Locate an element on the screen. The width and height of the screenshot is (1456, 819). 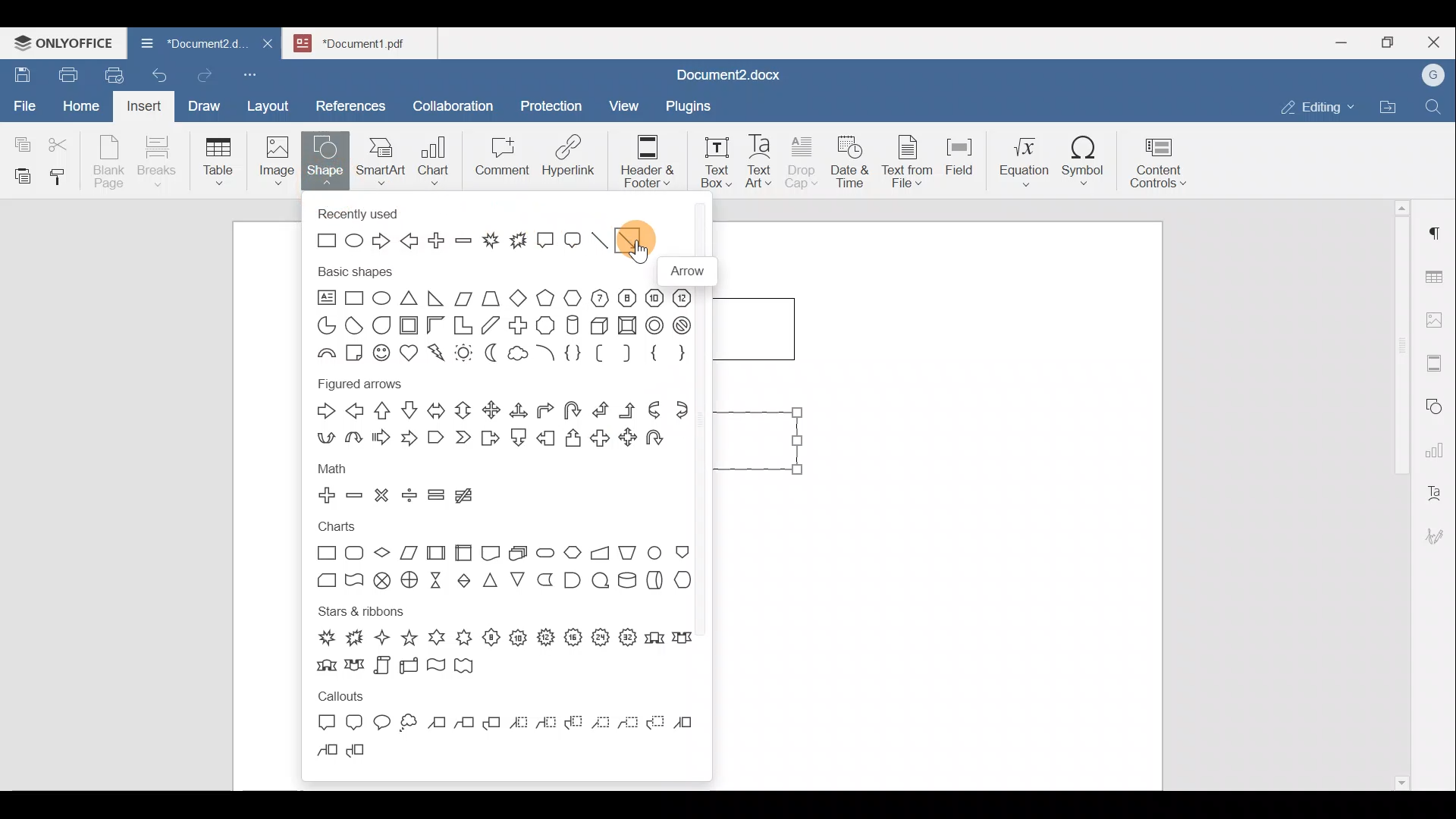
Math shapes is located at coordinates (419, 485).